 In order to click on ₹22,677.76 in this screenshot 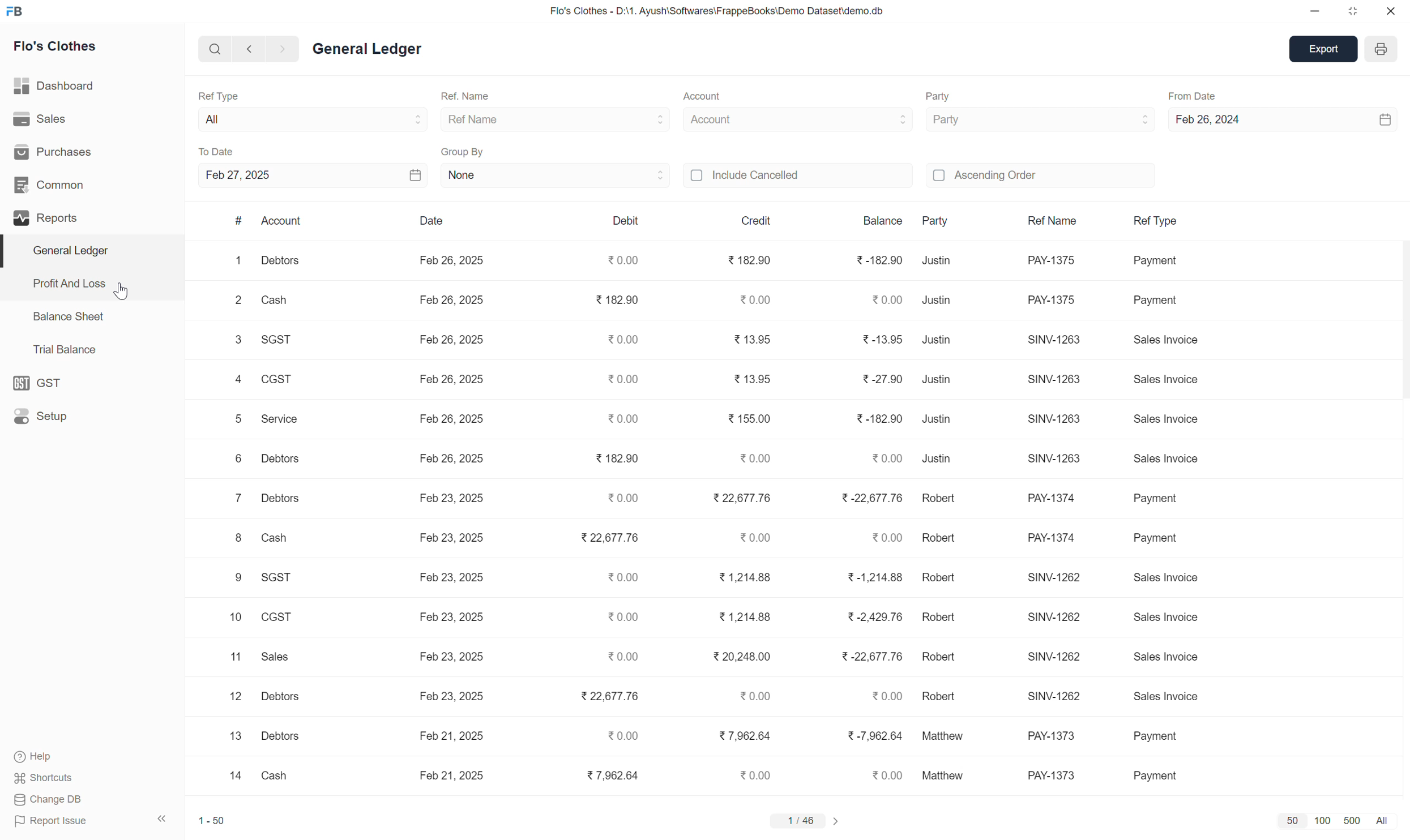, I will do `click(740, 499)`.